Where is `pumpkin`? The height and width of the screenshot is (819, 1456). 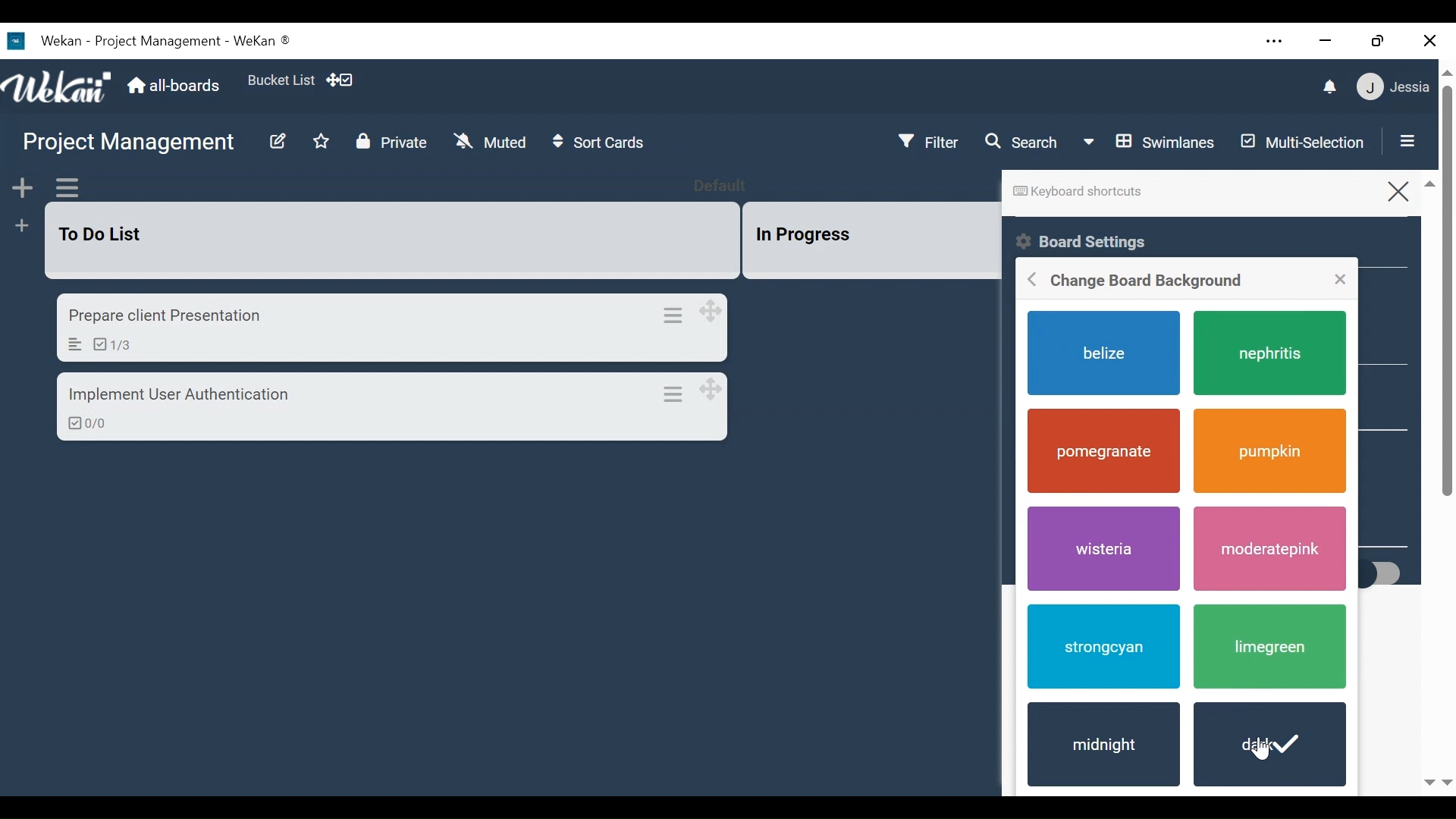 pumpkin is located at coordinates (1269, 450).